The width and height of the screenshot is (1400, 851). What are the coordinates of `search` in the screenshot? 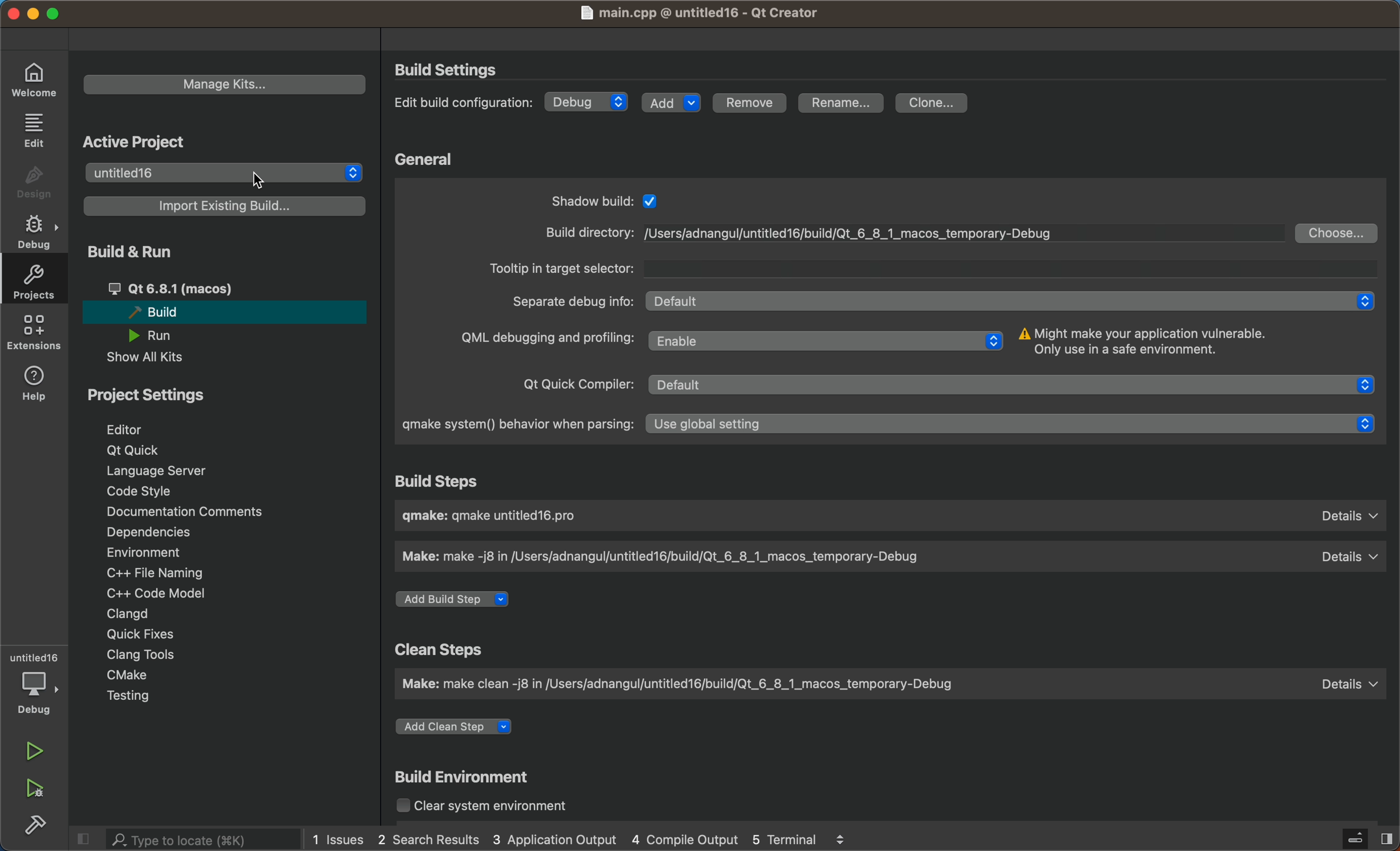 It's located at (189, 840).